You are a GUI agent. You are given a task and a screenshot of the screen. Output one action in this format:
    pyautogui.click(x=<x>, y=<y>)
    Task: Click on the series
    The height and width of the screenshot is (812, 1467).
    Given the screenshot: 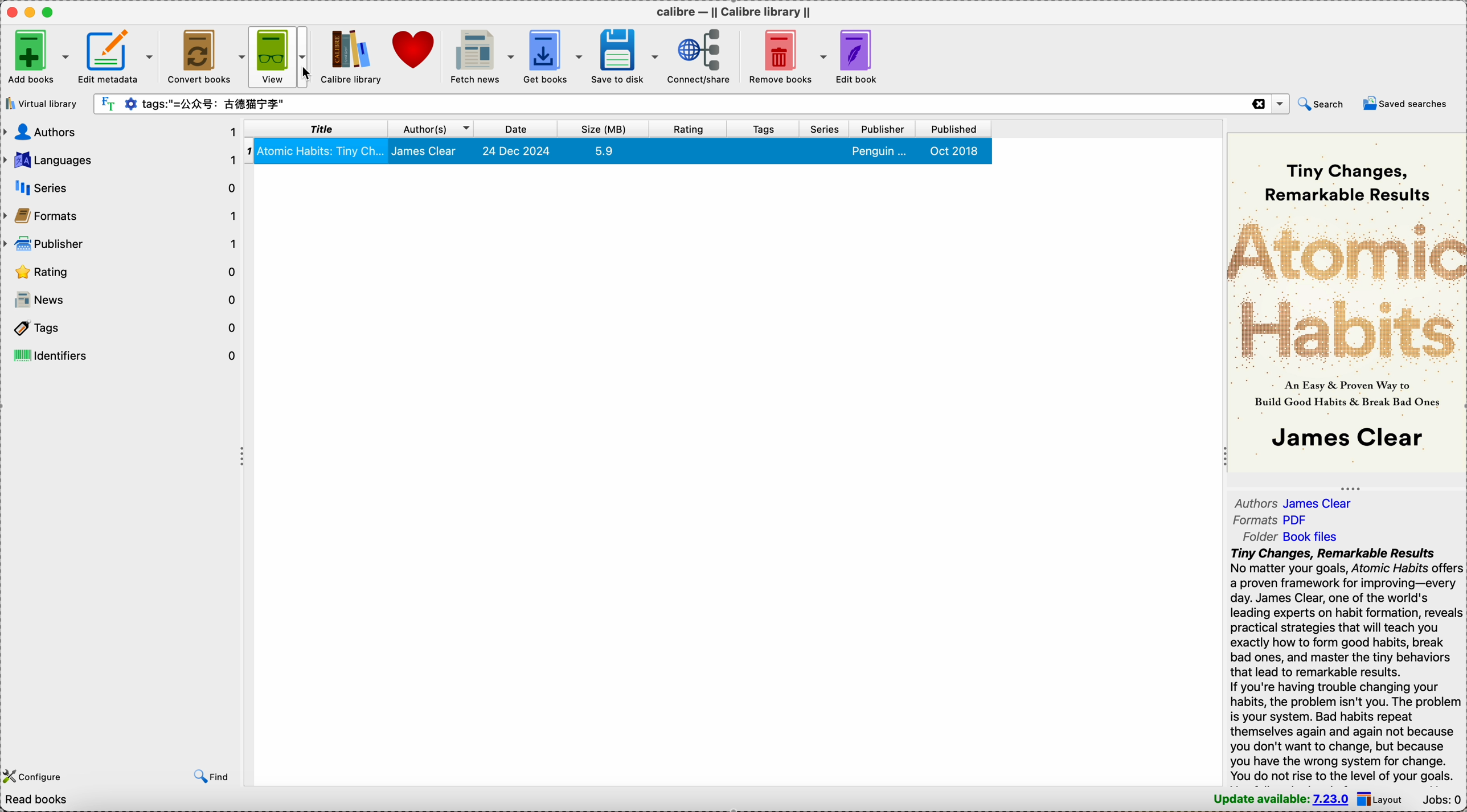 What is the action you would take?
    pyautogui.click(x=120, y=187)
    